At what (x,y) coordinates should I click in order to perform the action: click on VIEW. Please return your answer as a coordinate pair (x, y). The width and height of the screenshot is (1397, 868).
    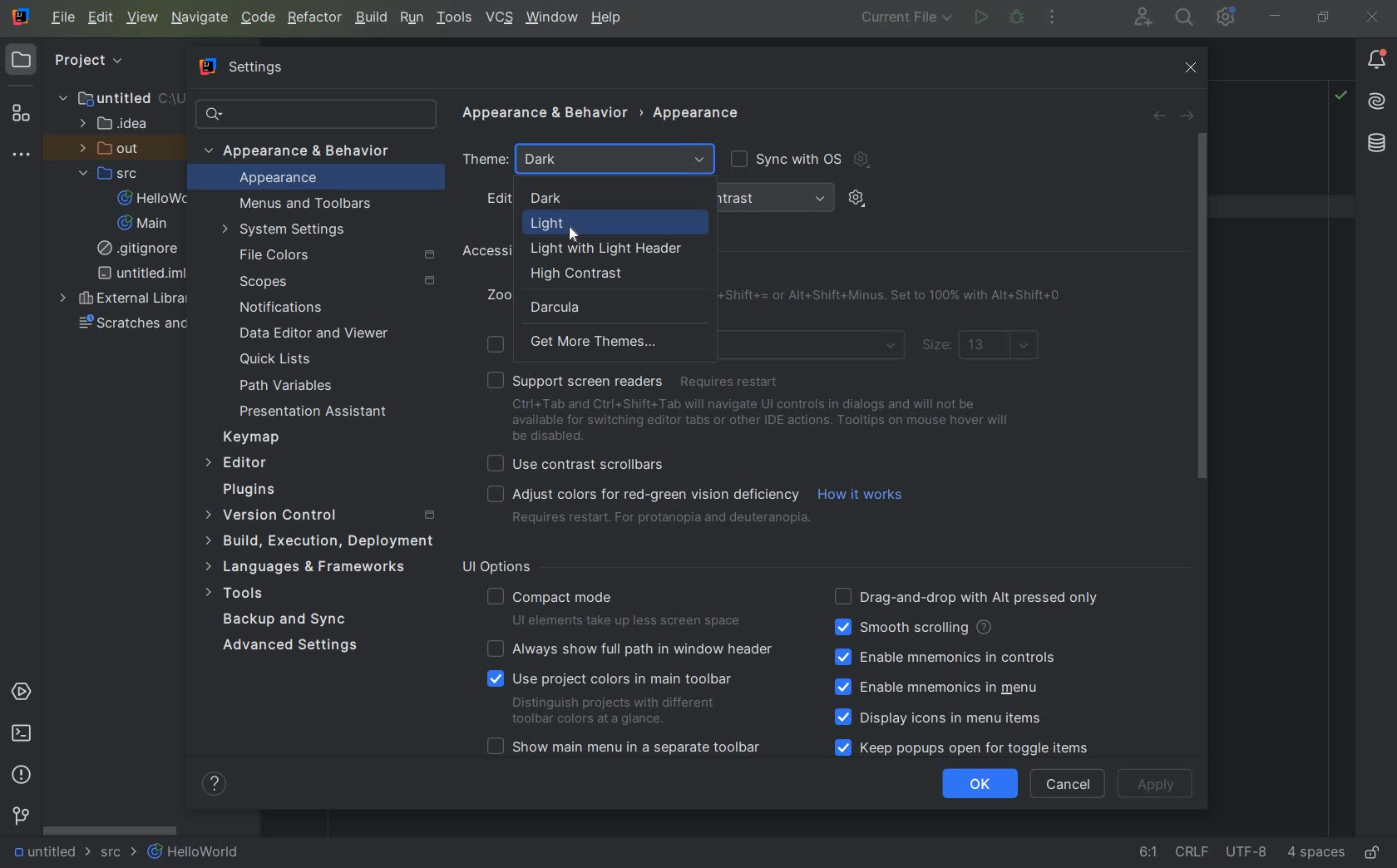
    Looking at the image, I should click on (143, 19).